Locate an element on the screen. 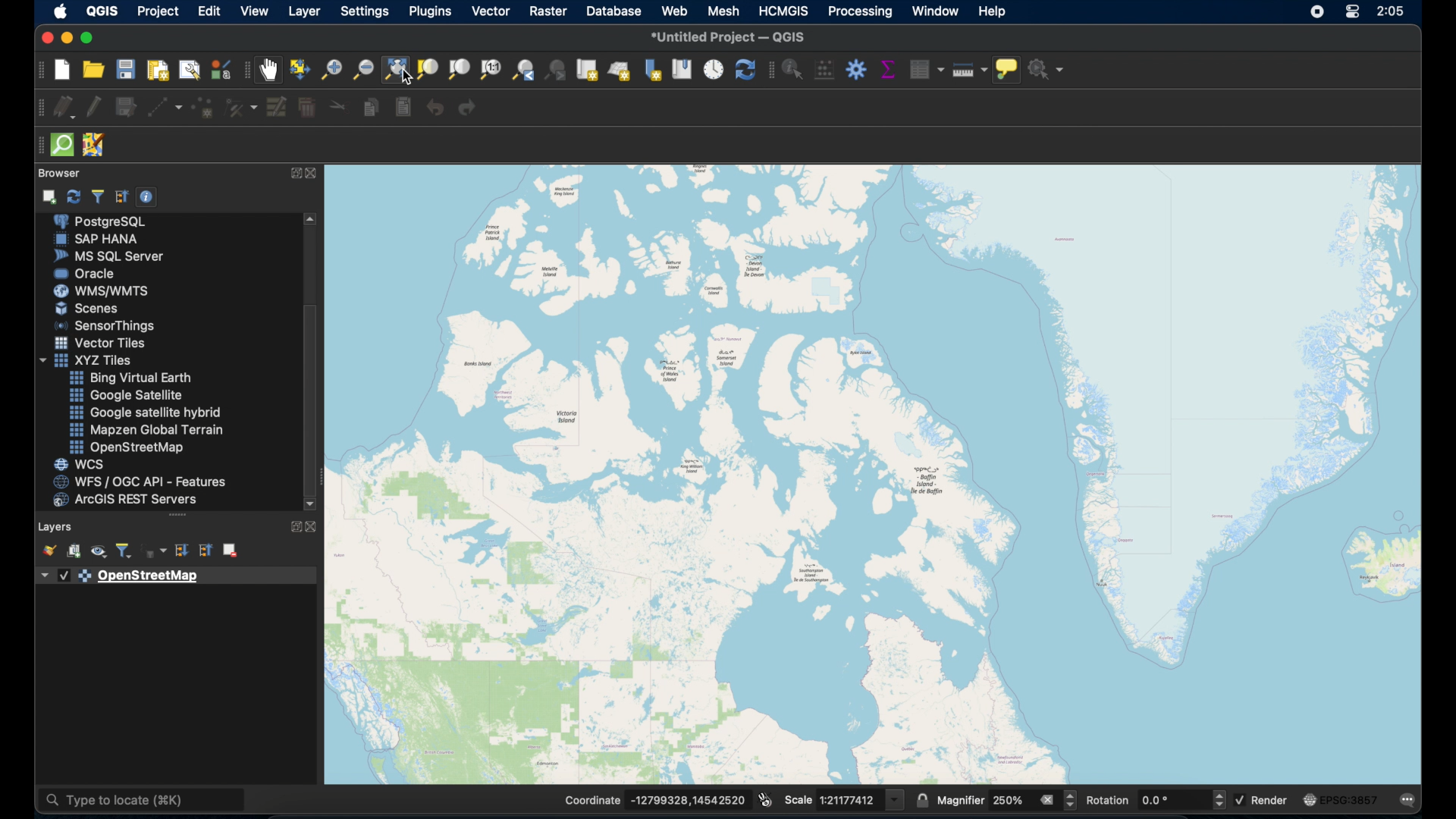 This screenshot has height=819, width=1456. wcs is located at coordinates (83, 464).